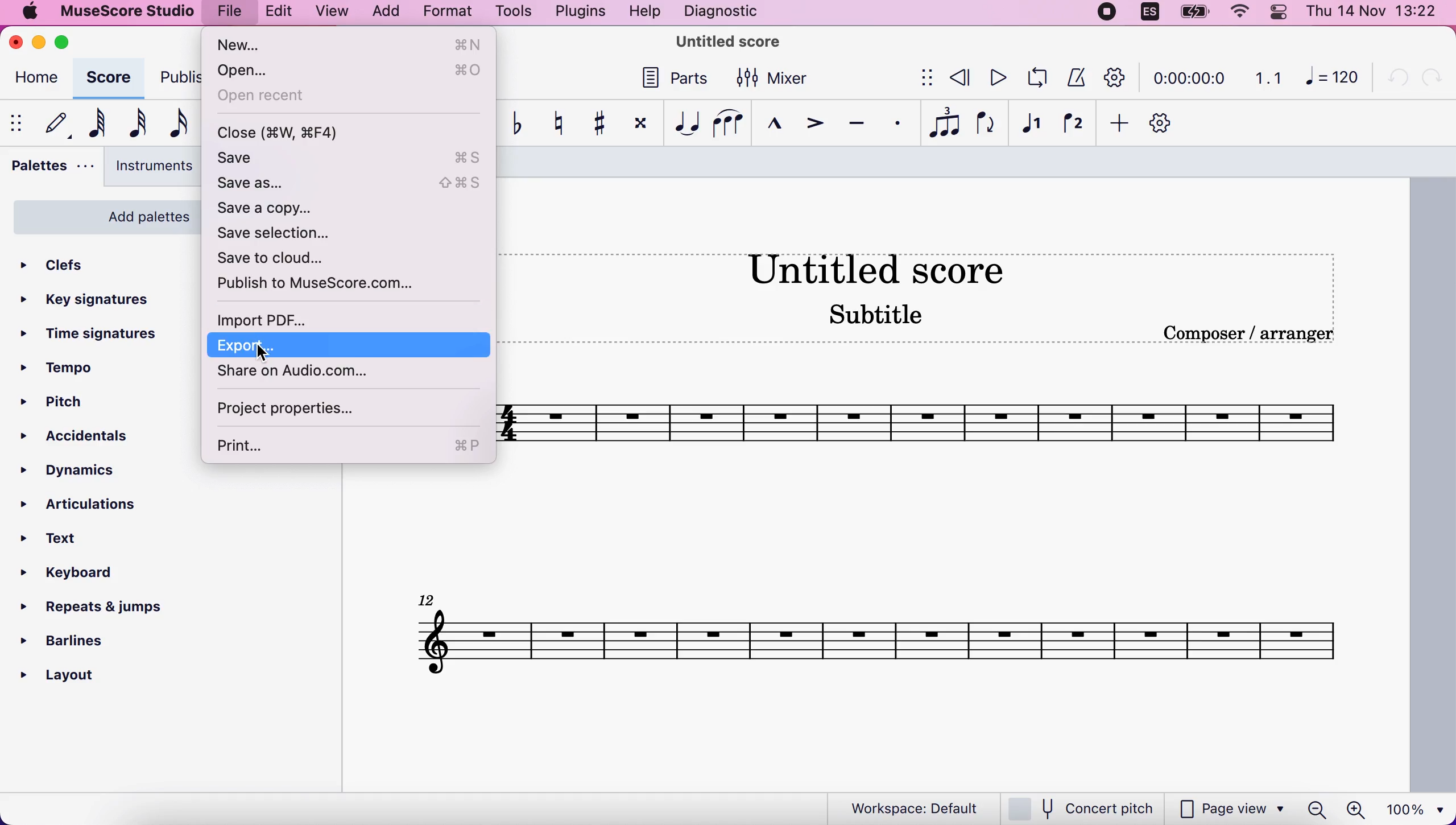 This screenshot has width=1456, height=825. What do you see at coordinates (925, 77) in the screenshot?
I see `show/hide` at bounding box center [925, 77].